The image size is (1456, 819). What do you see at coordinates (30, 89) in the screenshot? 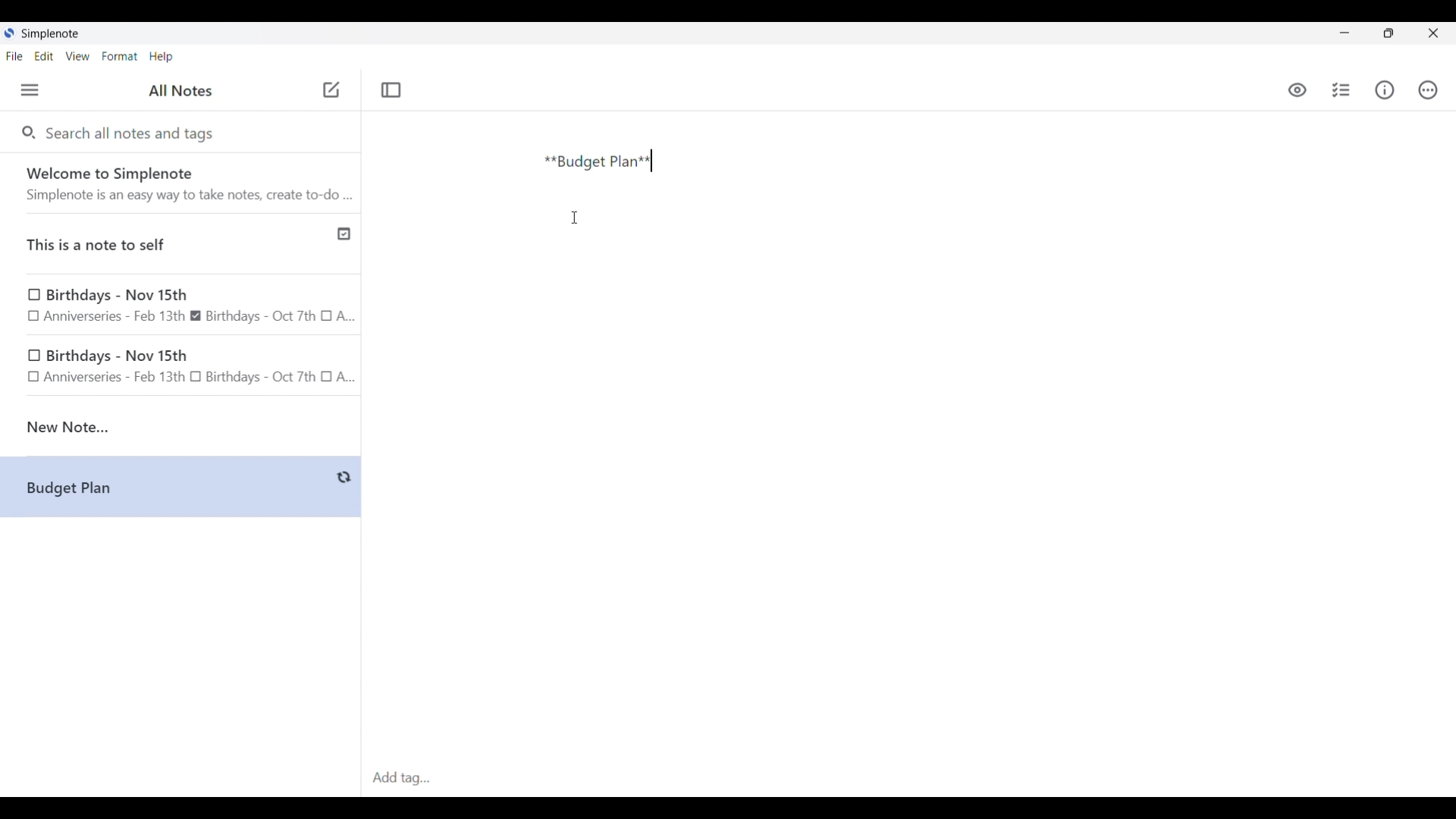
I see `Menu` at bounding box center [30, 89].